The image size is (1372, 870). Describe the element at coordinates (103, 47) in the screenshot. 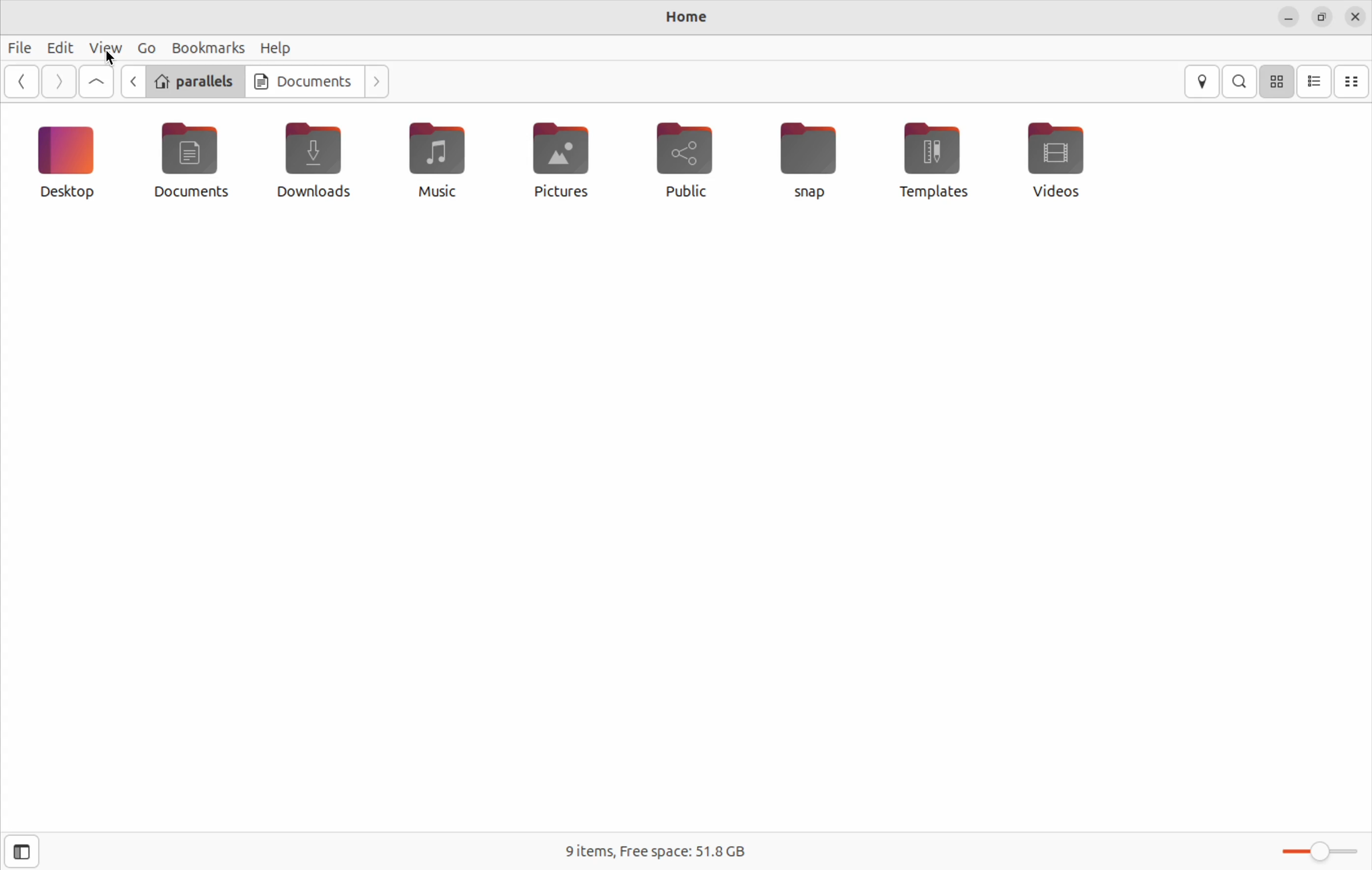

I see `view` at that location.